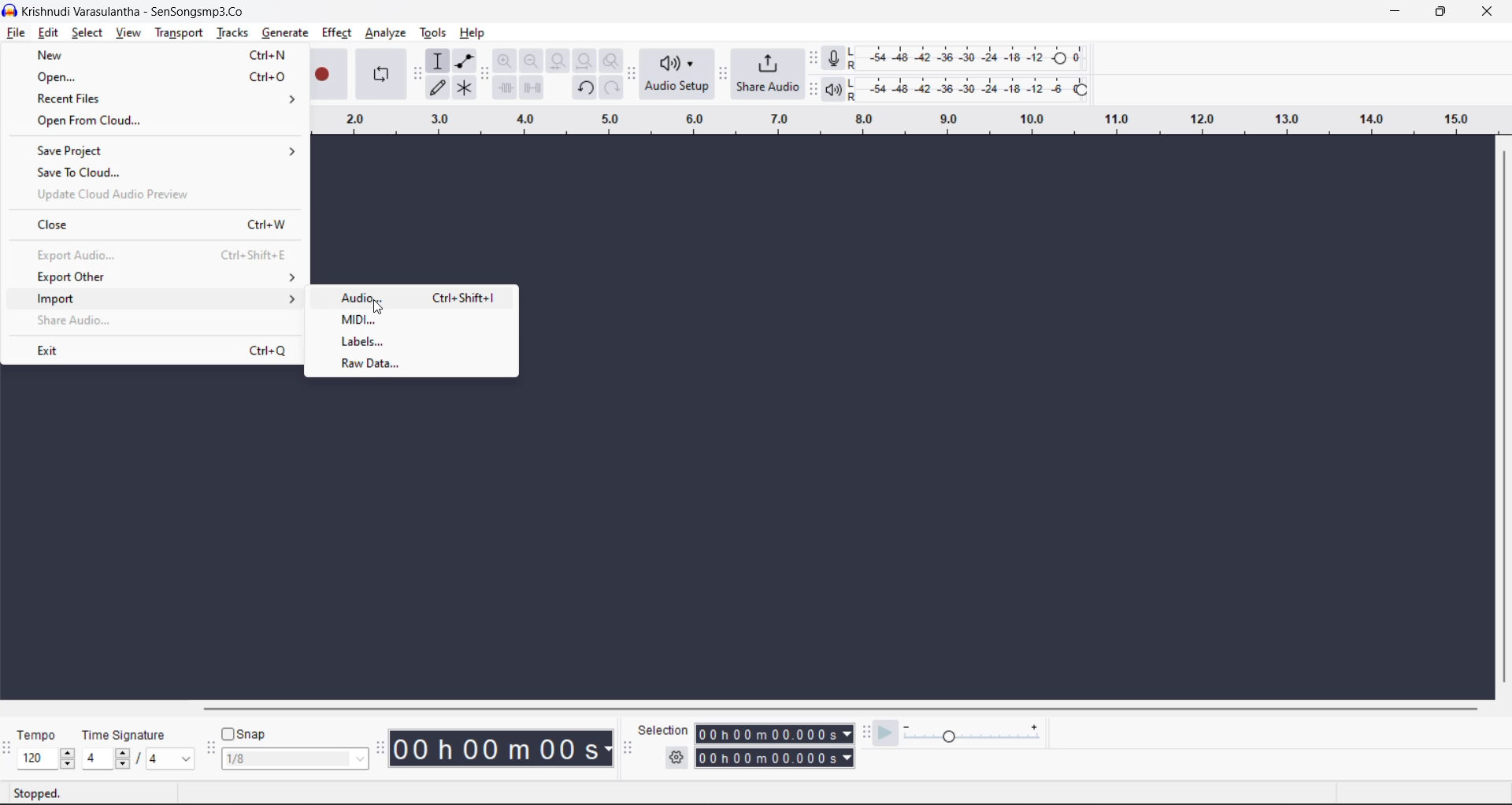  I want to click on multi tool, so click(466, 88).